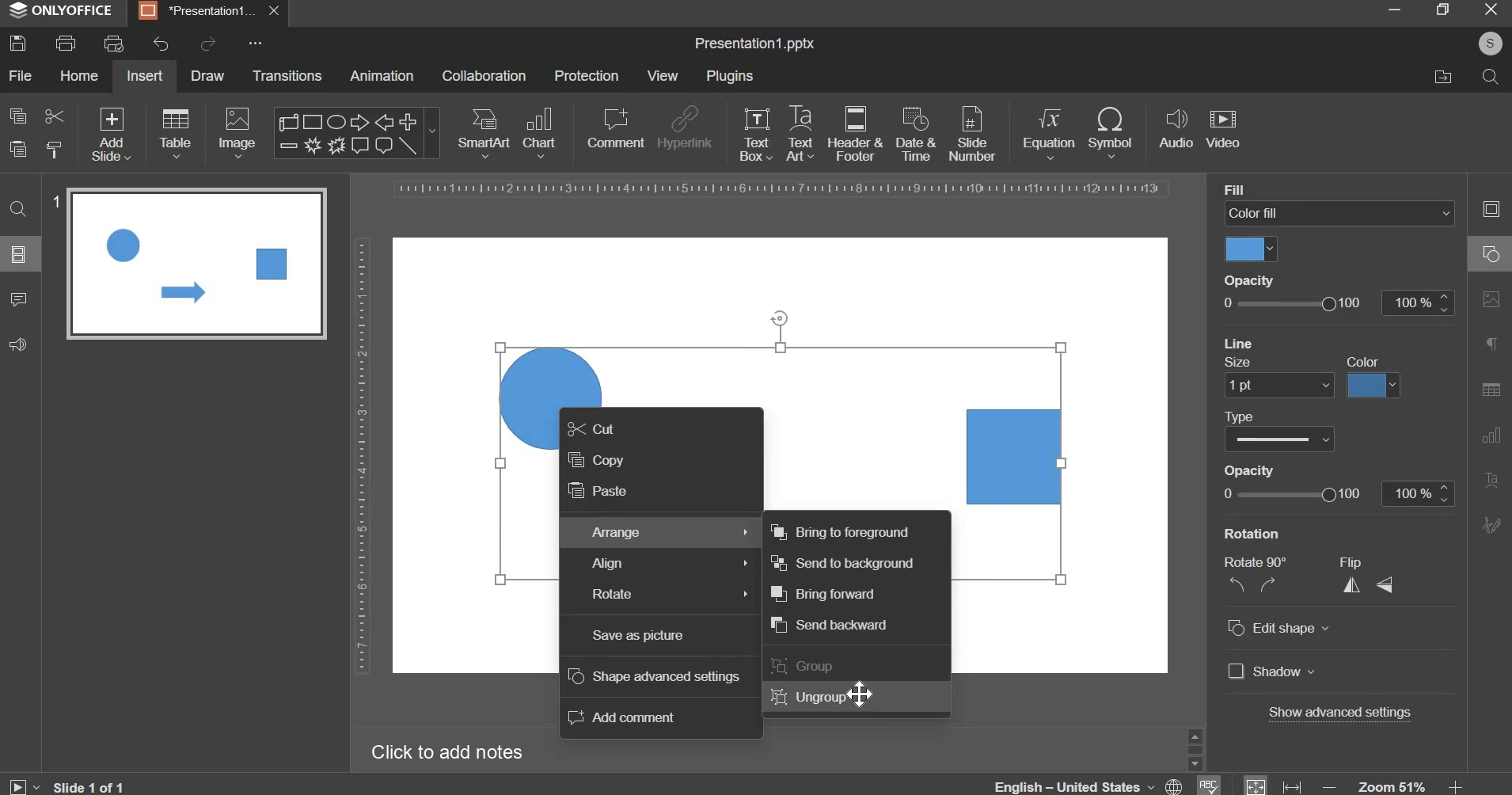  Describe the element at coordinates (66, 44) in the screenshot. I see `print` at that location.